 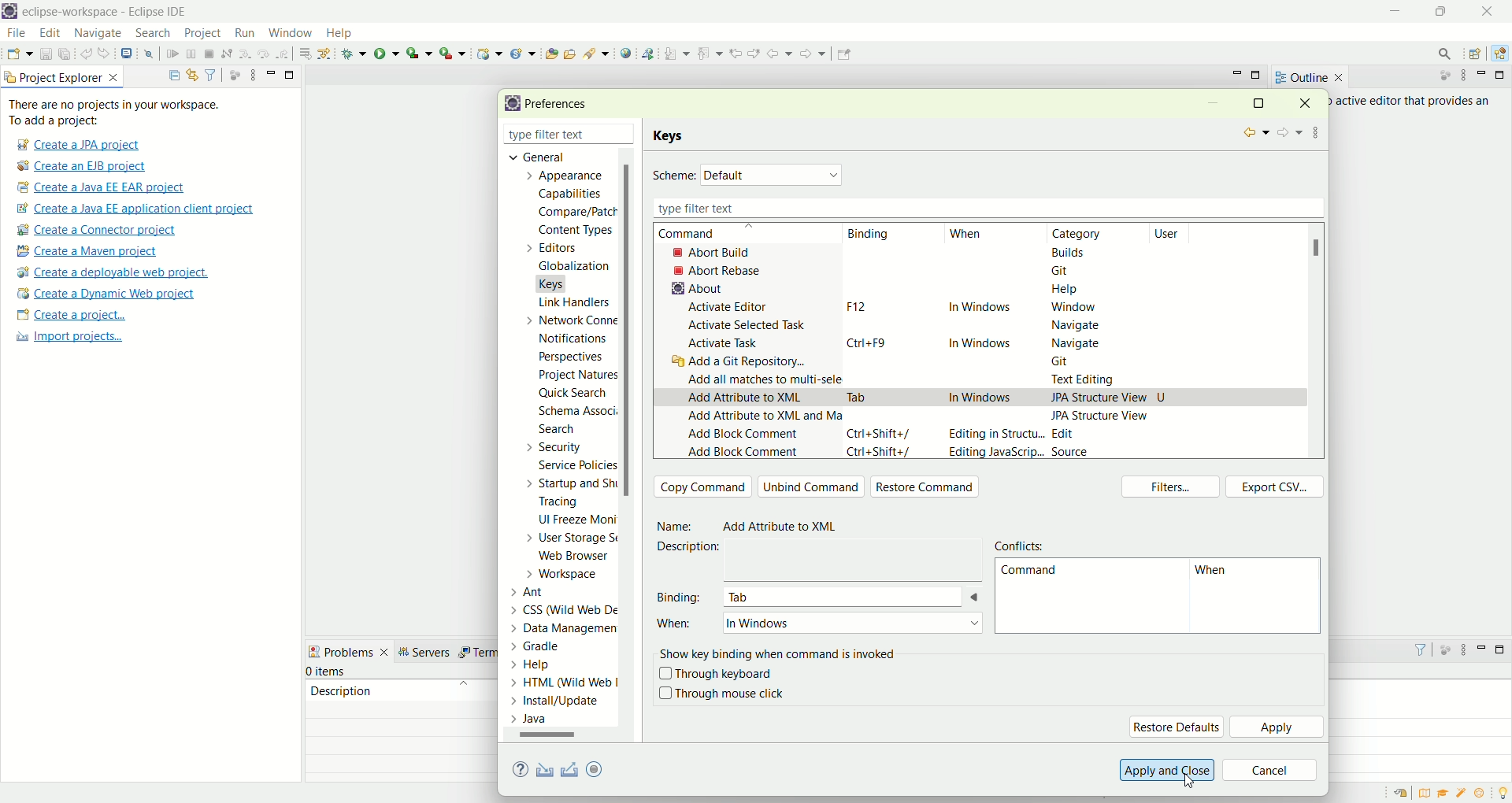 I want to click on general, so click(x=532, y=156).